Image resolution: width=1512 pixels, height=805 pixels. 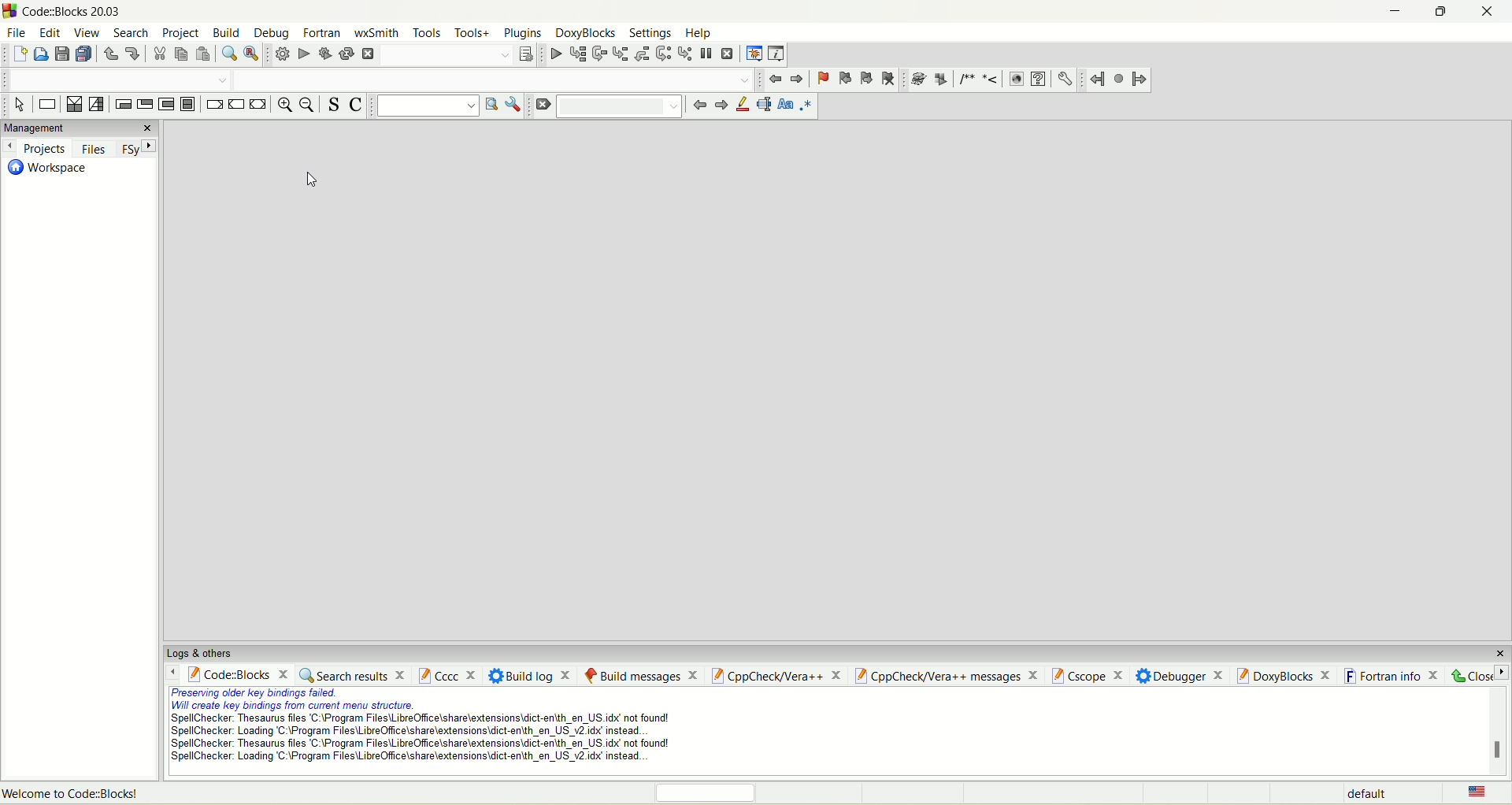 What do you see at coordinates (844, 78) in the screenshot?
I see `prev bookmark` at bounding box center [844, 78].